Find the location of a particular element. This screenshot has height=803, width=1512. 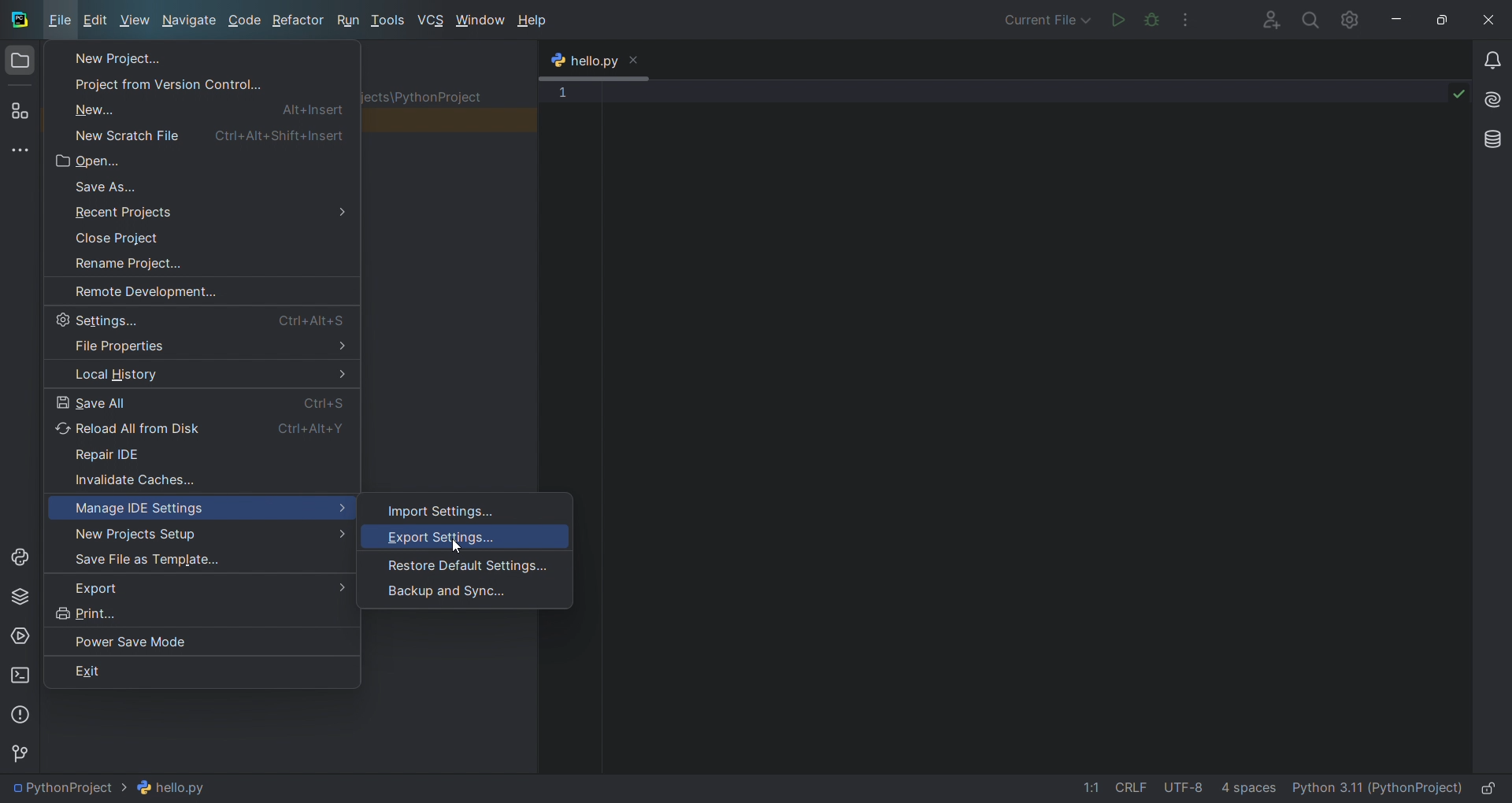

new is located at coordinates (200, 108).